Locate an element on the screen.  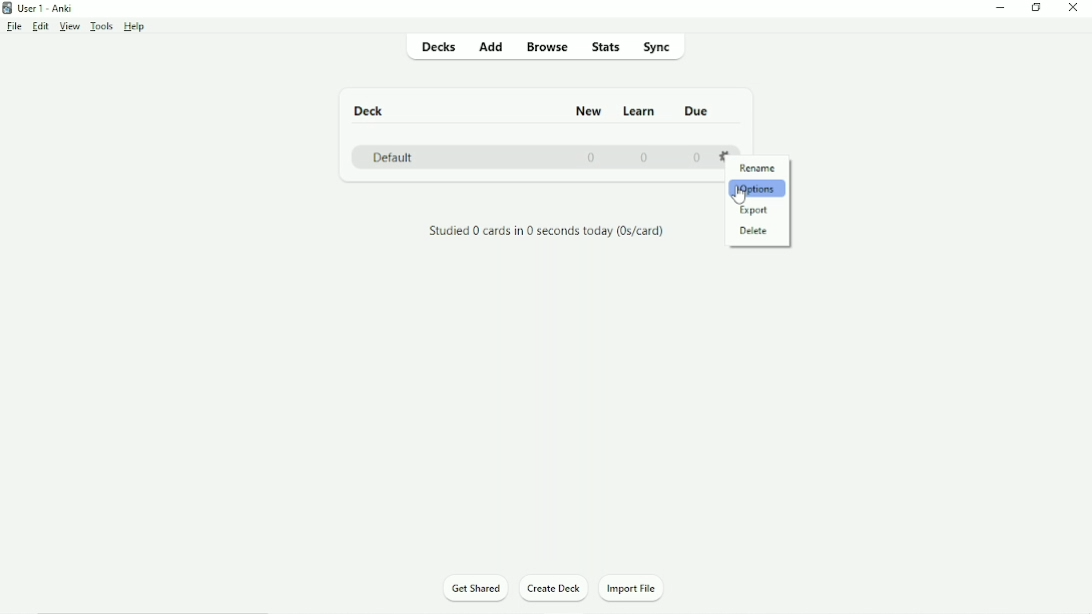
View is located at coordinates (68, 27).